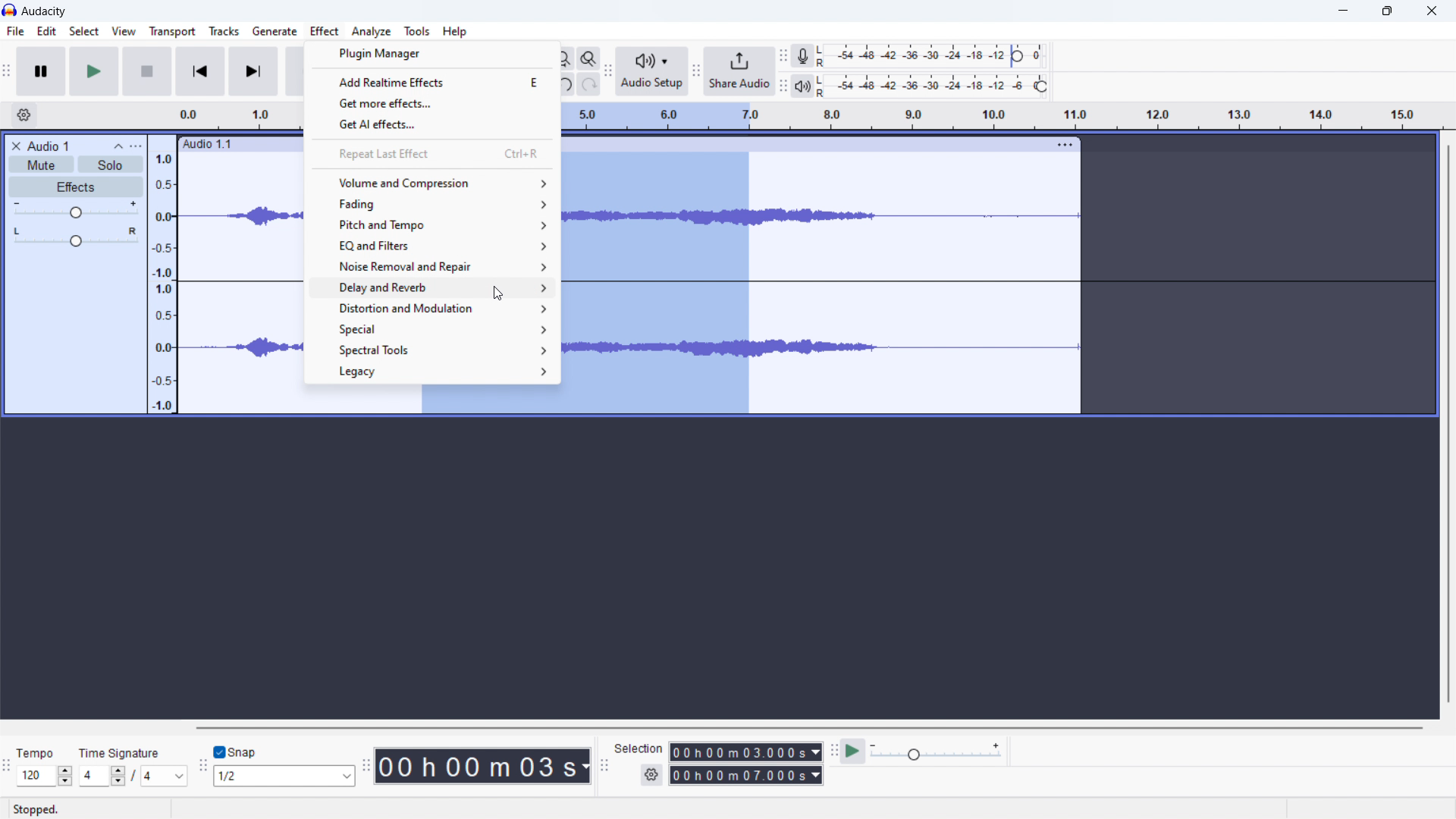 The image size is (1456, 819). Describe the element at coordinates (803, 56) in the screenshot. I see `recording meter` at that location.